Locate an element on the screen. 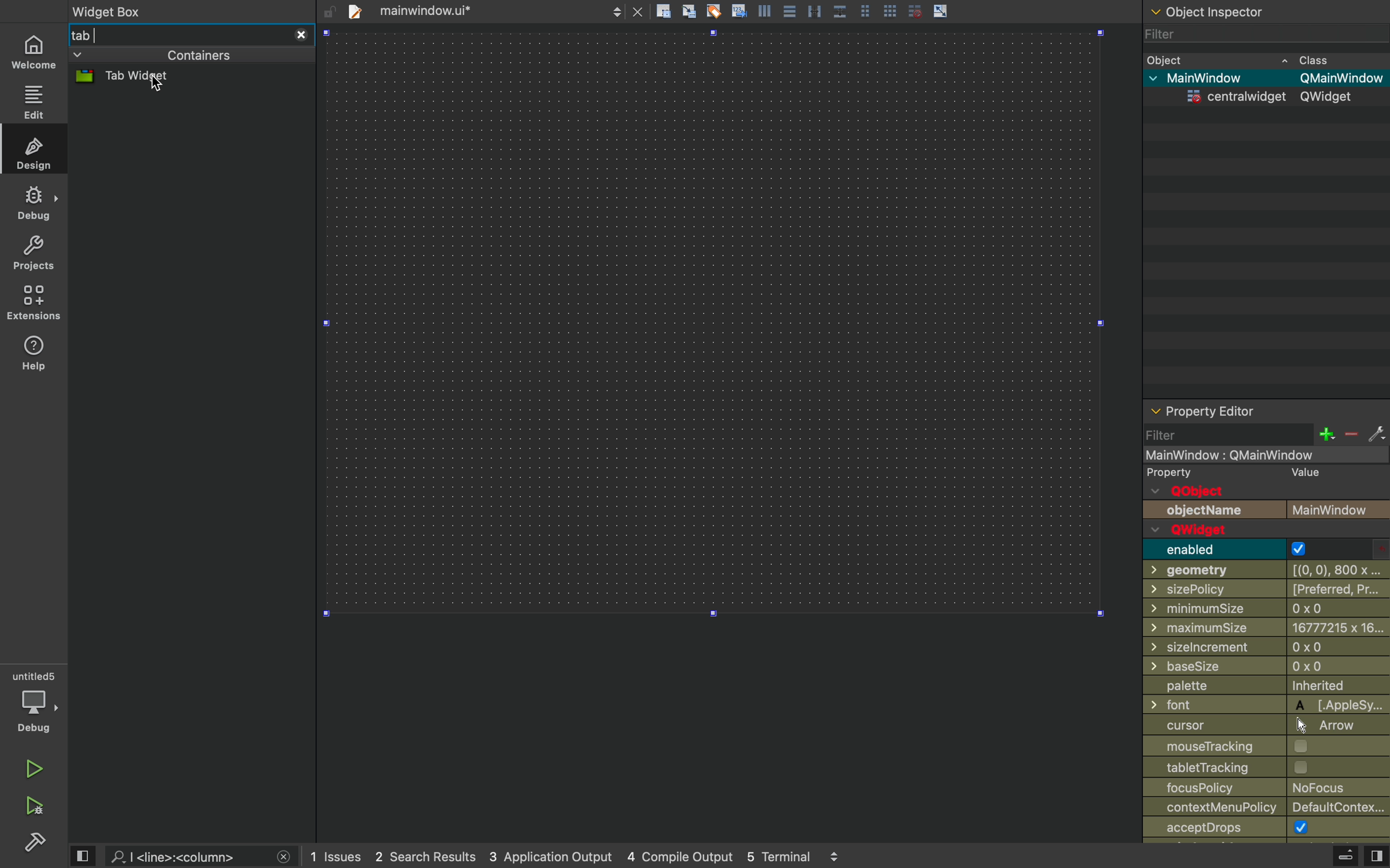 The image size is (1390, 868). enabled is located at coordinates (1231, 549).